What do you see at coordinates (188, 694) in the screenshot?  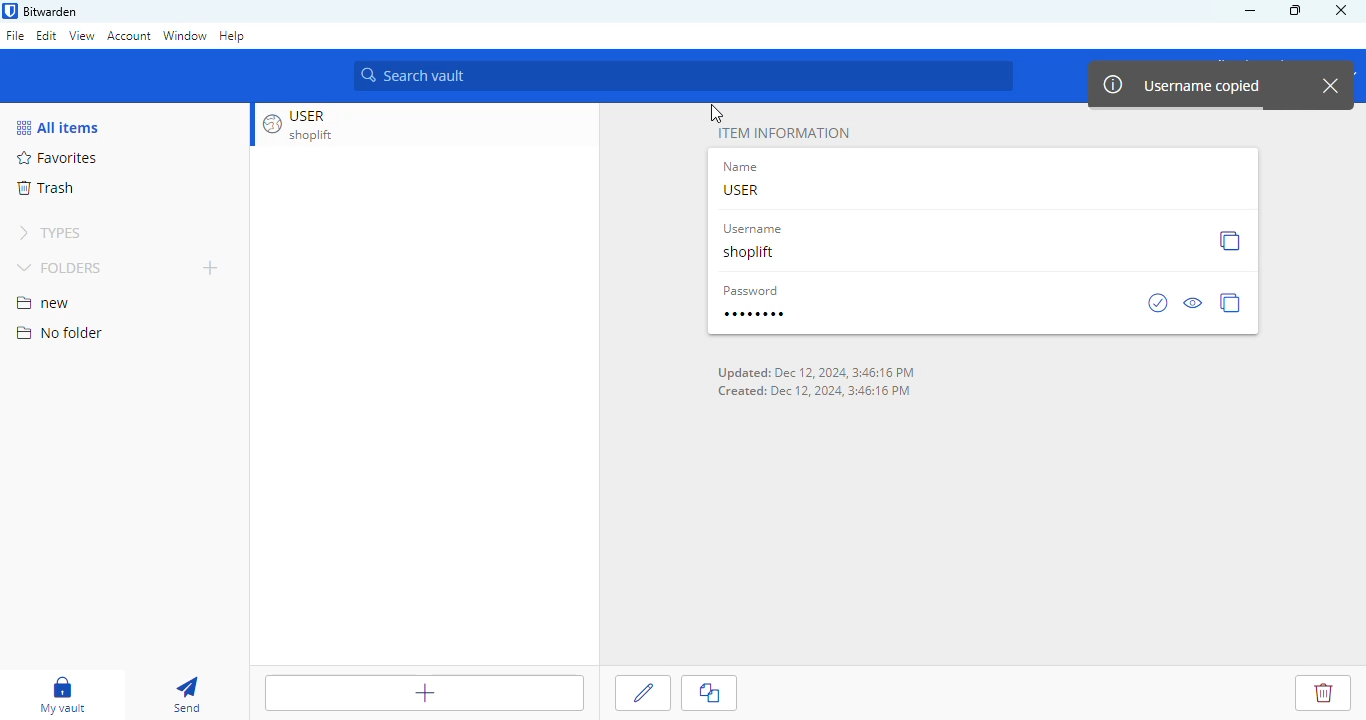 I see `send` at bounding box center [188, 694].